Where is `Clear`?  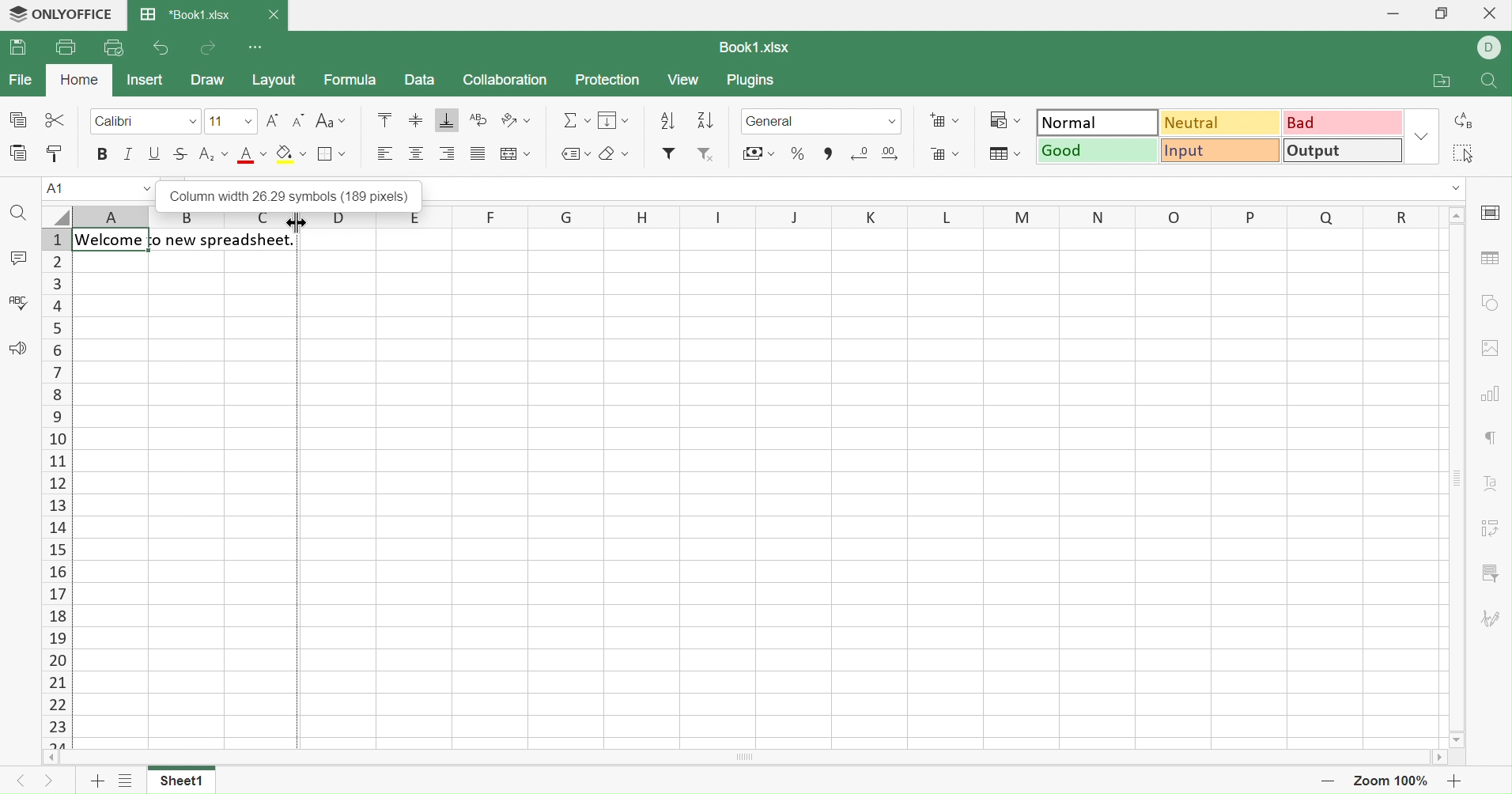
Clear is located at coordinates (615, 153).